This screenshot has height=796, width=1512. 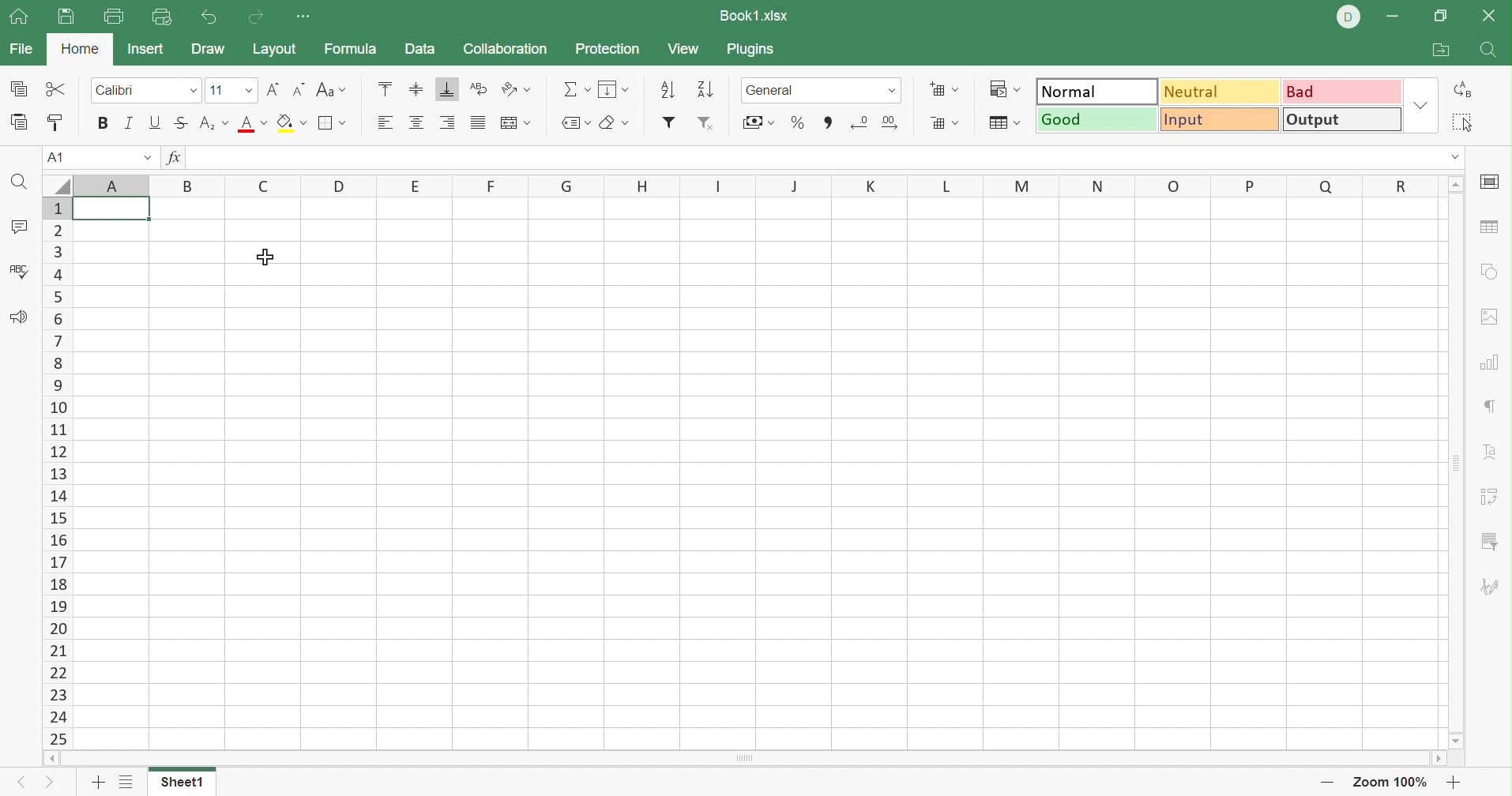 What do you see at coordinates (303, 17) in the screenshot?
I see `Customize Quick Access Toolbar` at bounding box center [303, 17].